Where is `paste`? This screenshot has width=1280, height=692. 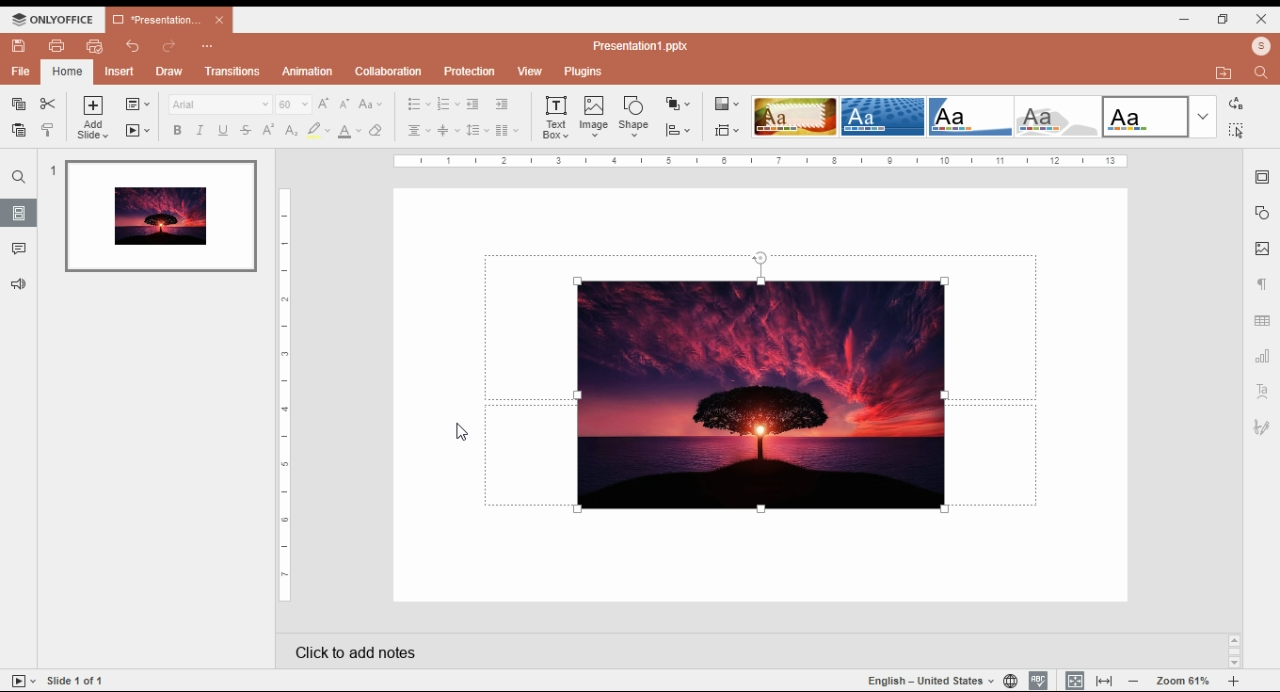 paste is located at coordinates (20, 130).